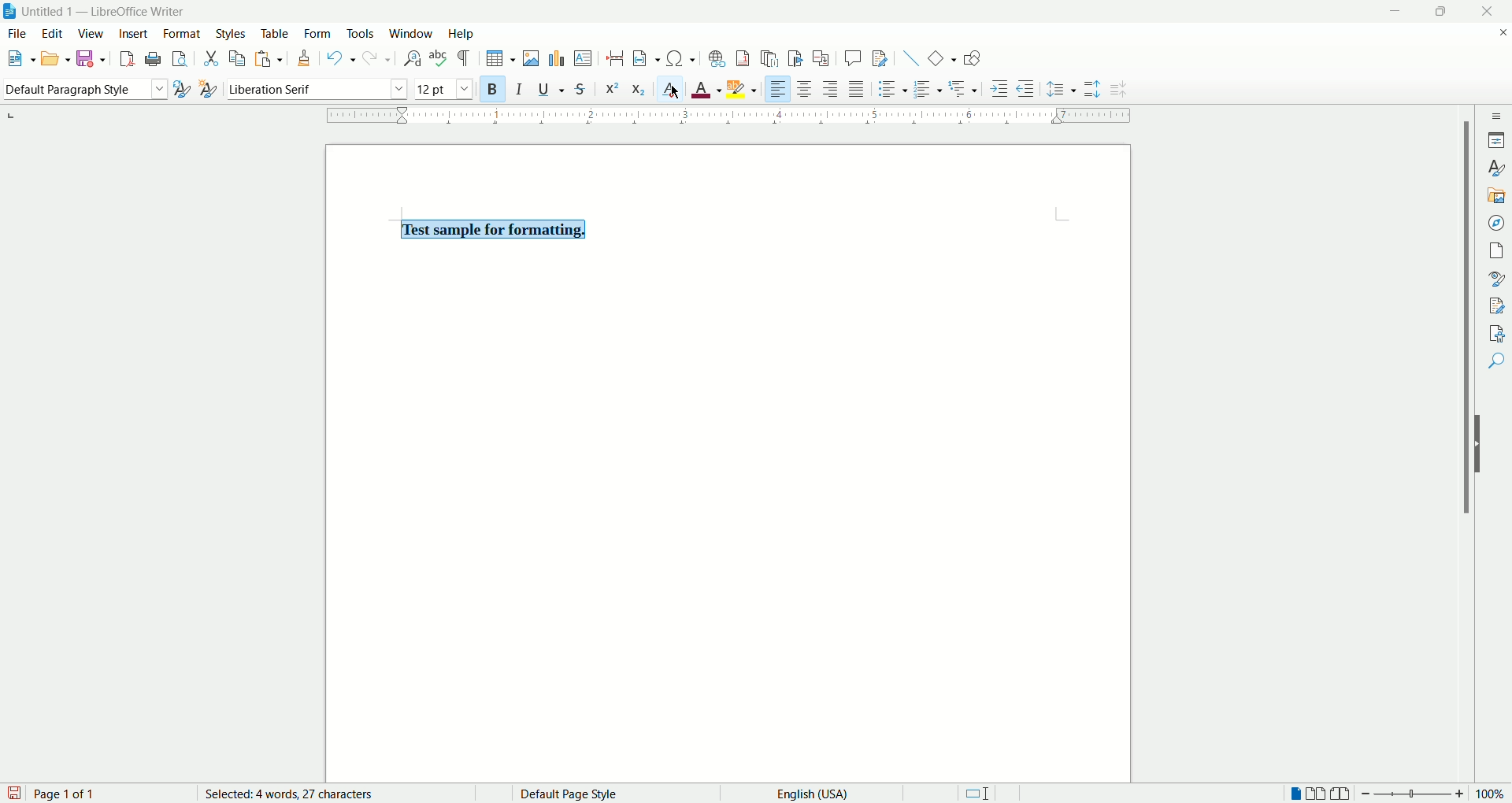 The image size is (1512, 803). What do you see at coordinates (964, 88) in the screenshot?
I see `format outline` at bounding box center [964, 88].